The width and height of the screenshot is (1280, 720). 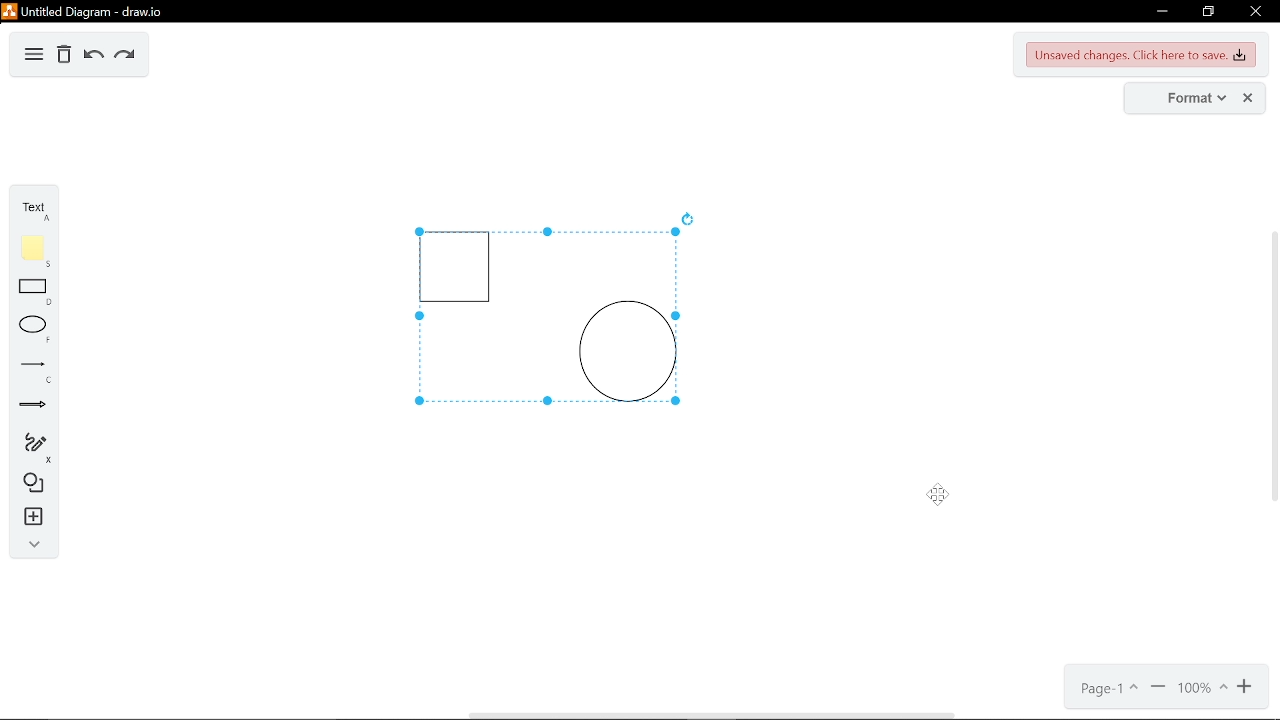 I want to click on ellipse, so click(x=31, y=330).